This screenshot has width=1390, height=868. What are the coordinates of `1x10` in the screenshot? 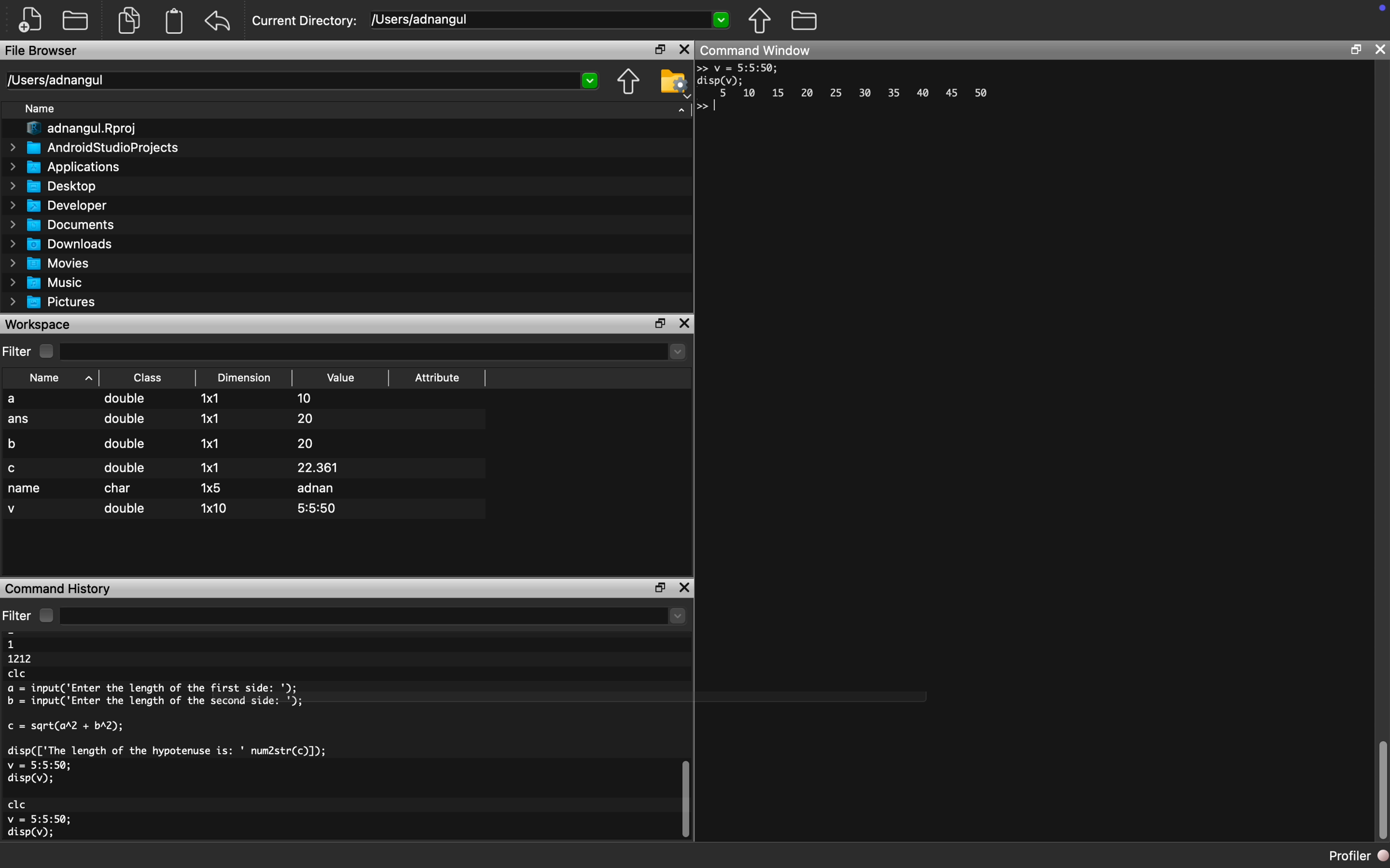 It's located at (215, 507).